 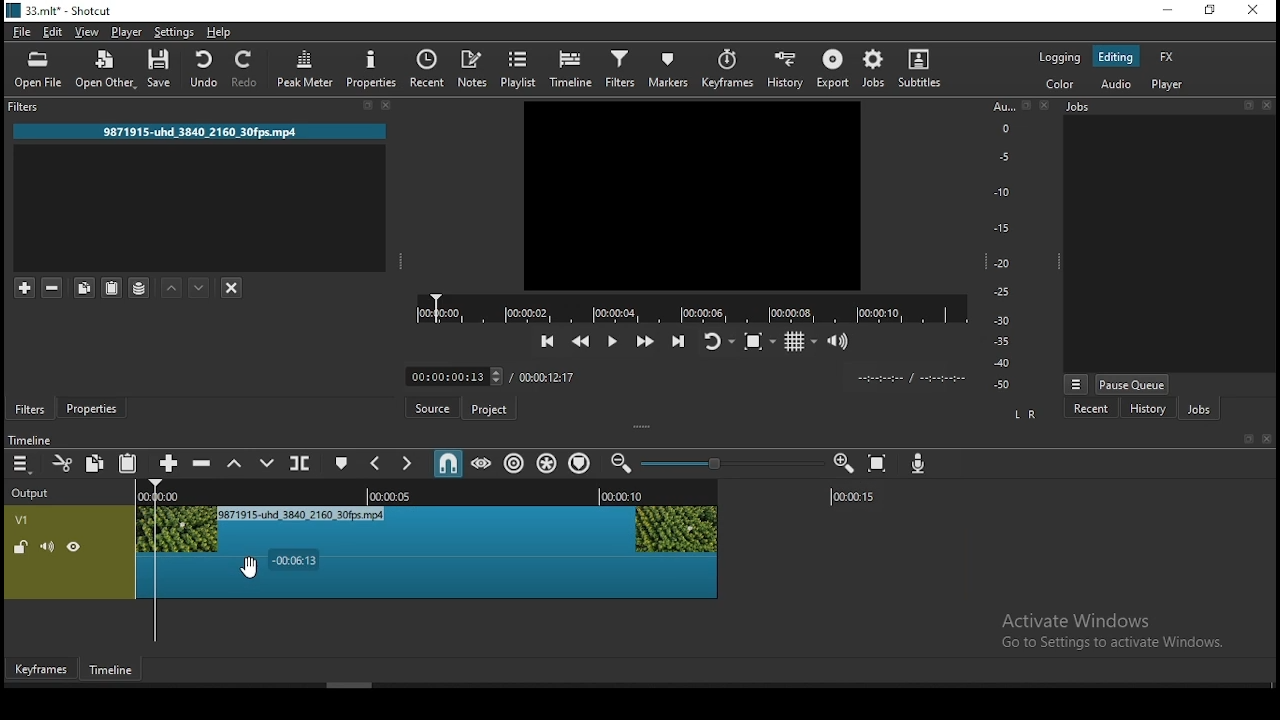 What do you see at coordinates (922, 468) in the screenshot?
I see `record audio` at bounding box center [922, 468].